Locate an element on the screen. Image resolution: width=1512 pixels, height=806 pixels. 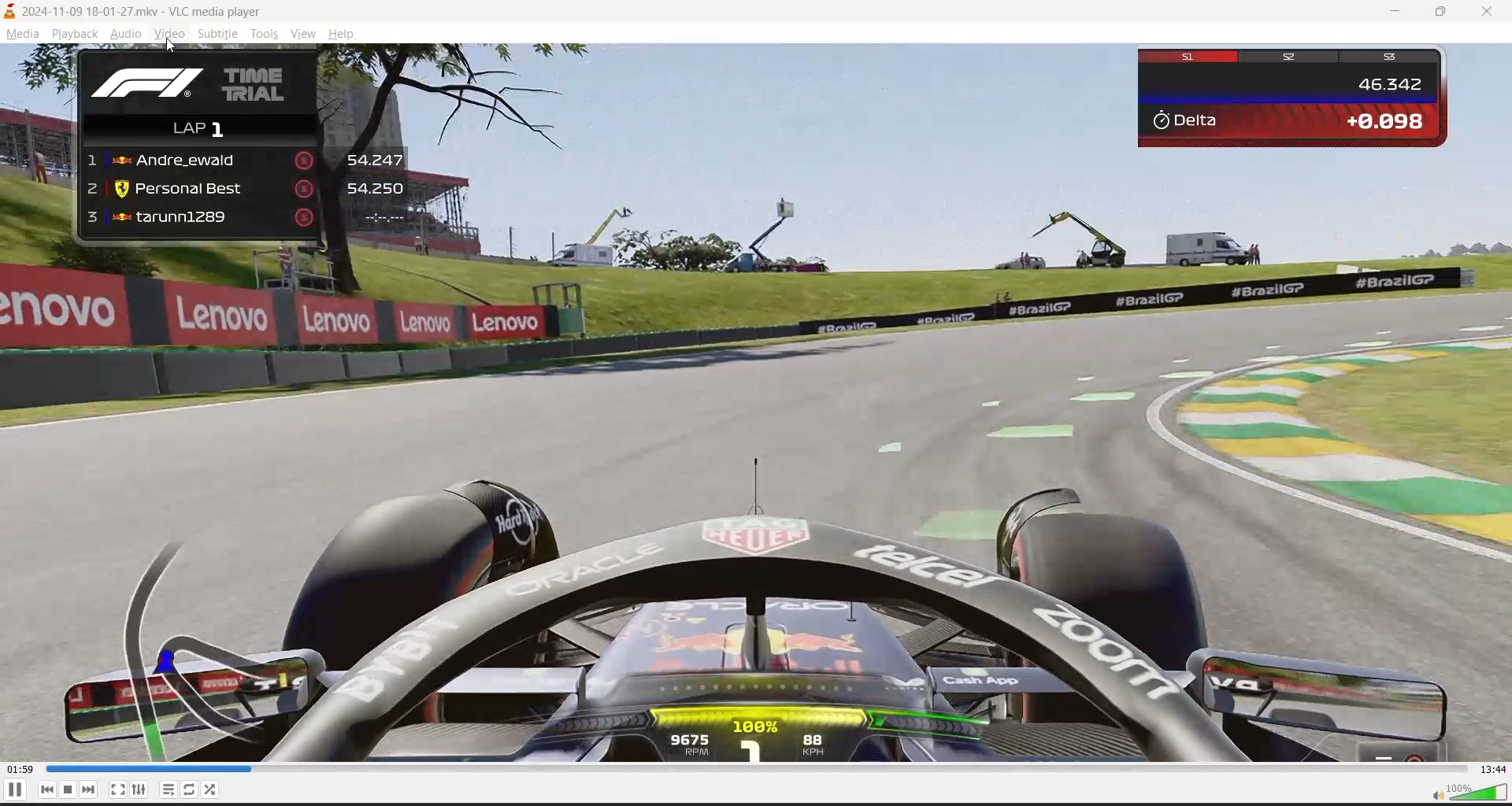
next is located at coordinates (94, 789).